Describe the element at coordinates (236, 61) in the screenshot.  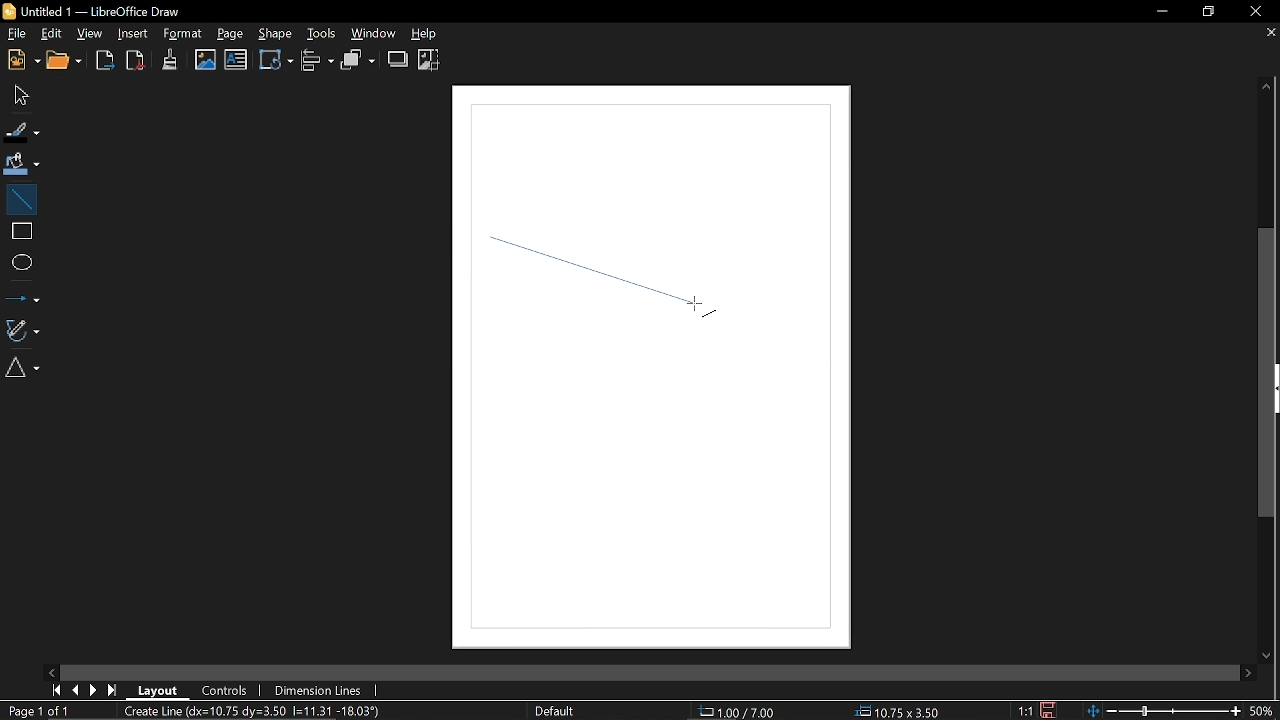
I see `Insert text` at that location.